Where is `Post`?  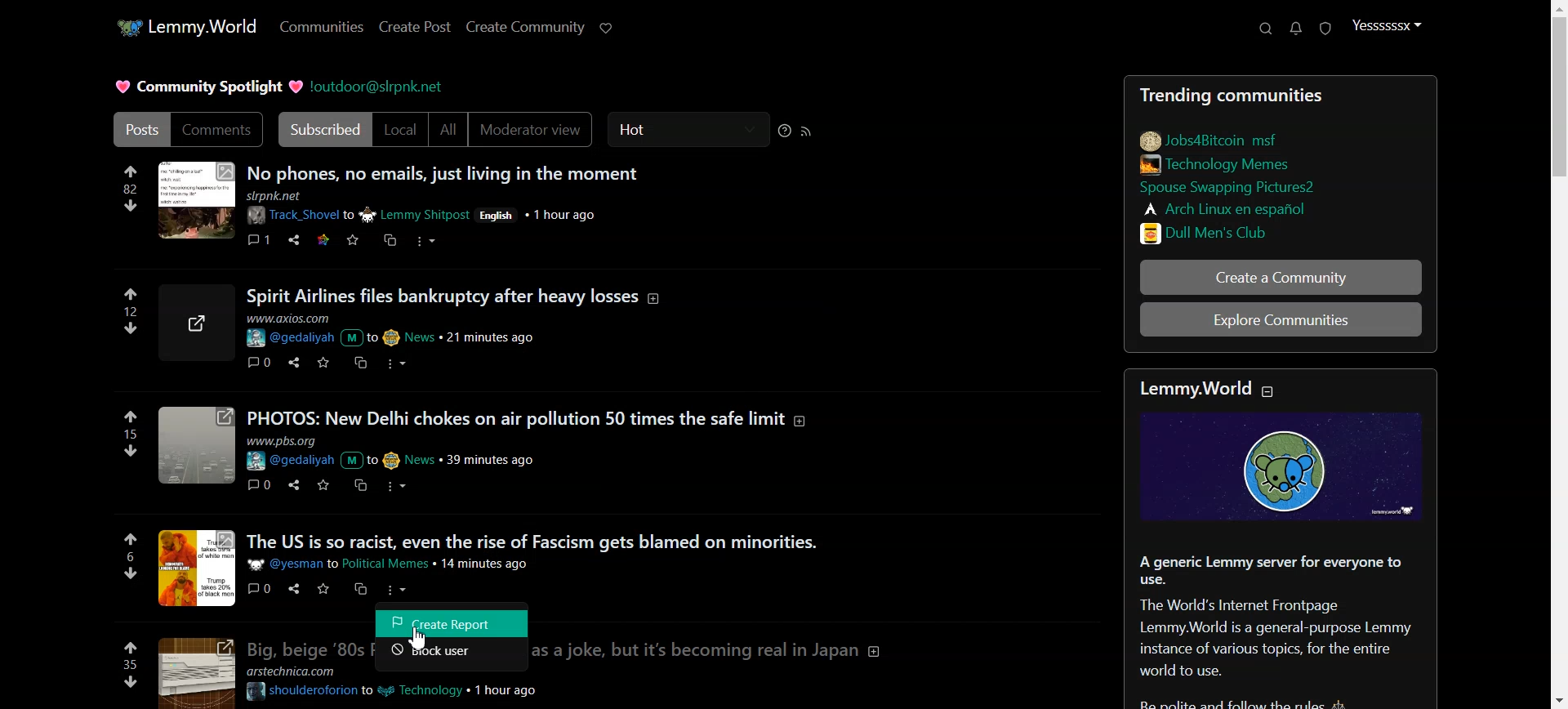 Post is located at coordinates (136, 129).